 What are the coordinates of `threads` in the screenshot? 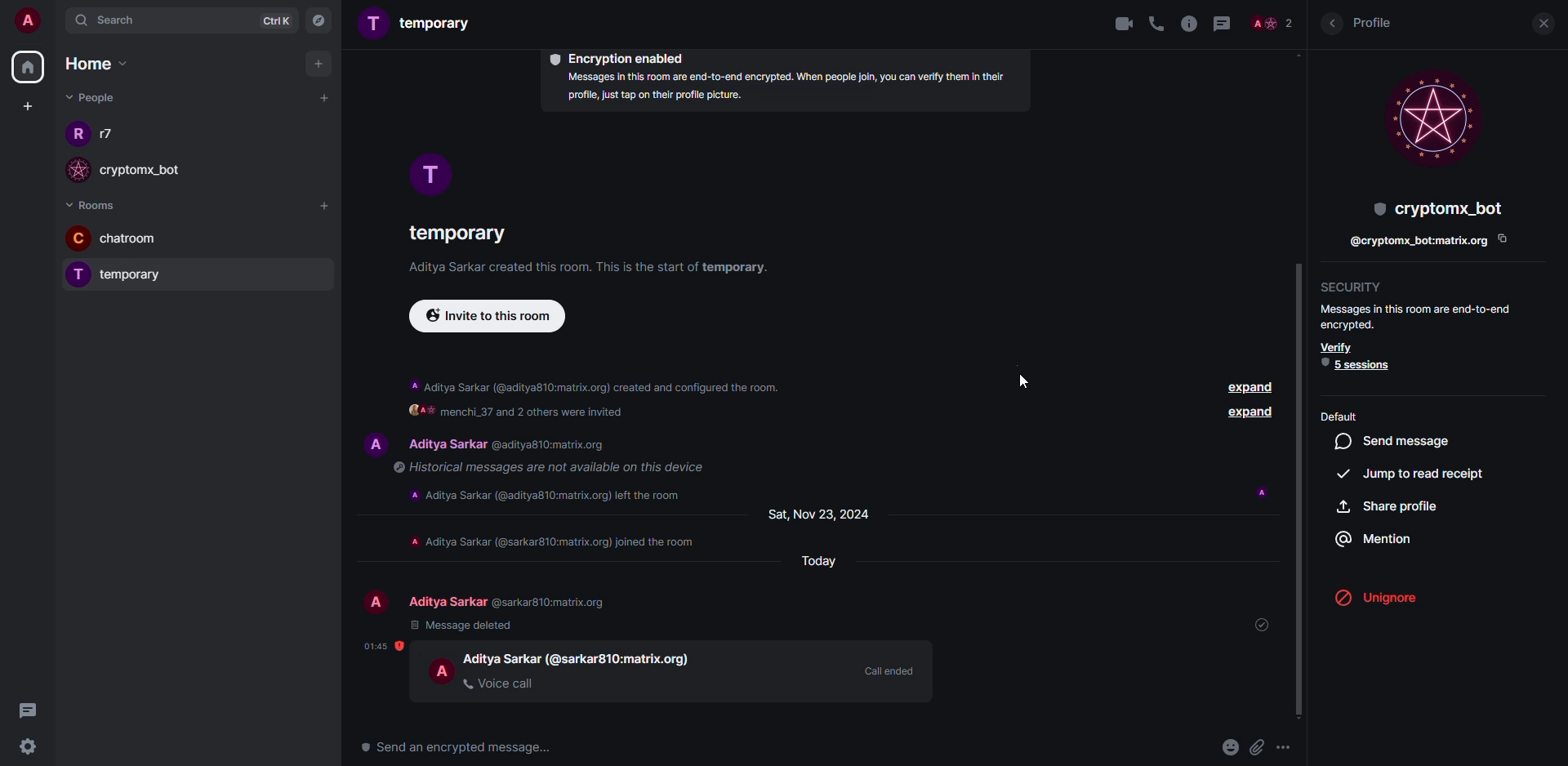 It's located at (34, 710).